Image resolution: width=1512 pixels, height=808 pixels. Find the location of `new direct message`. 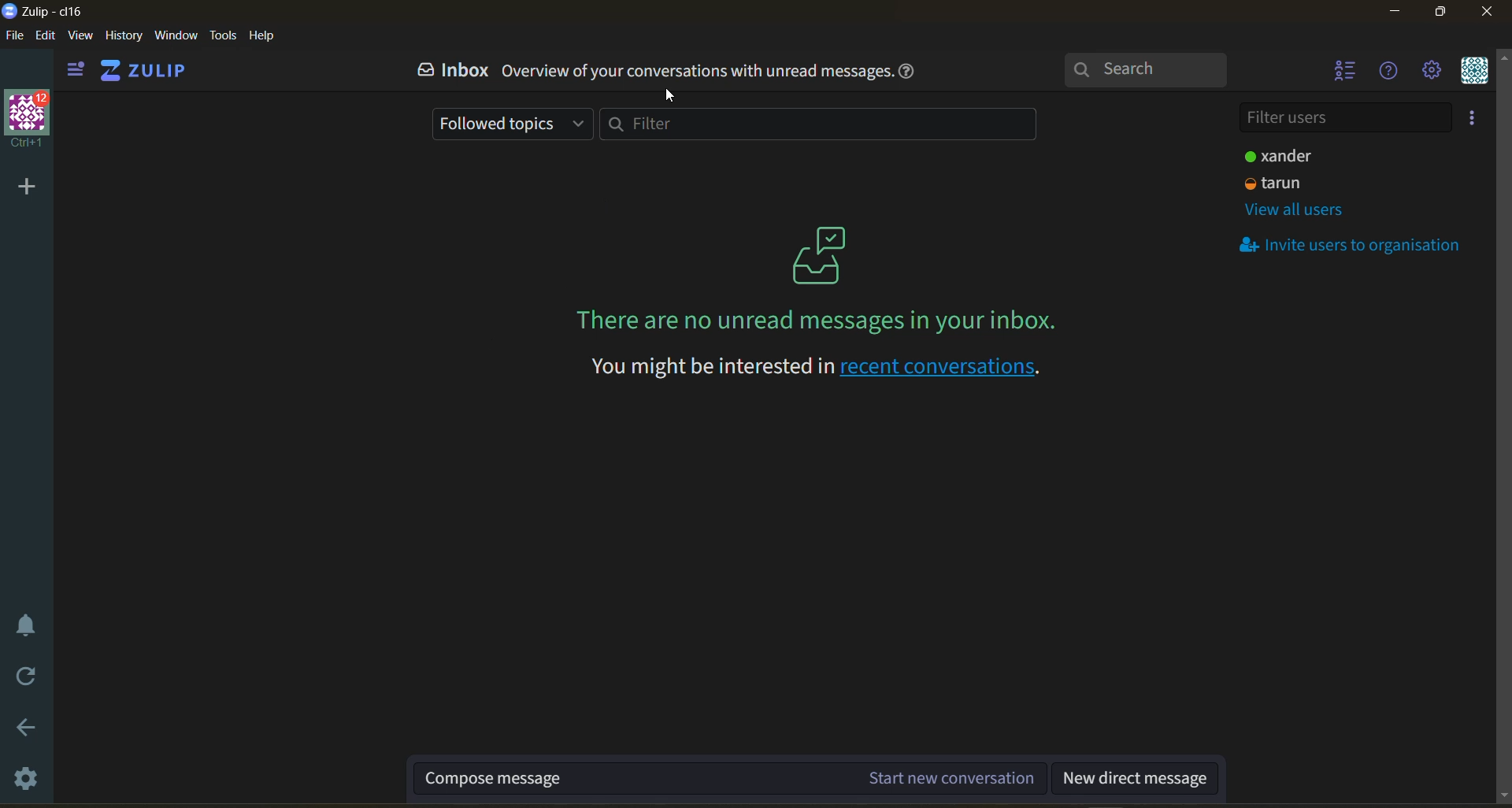

new direct message is located at coordinates (1136, 777).